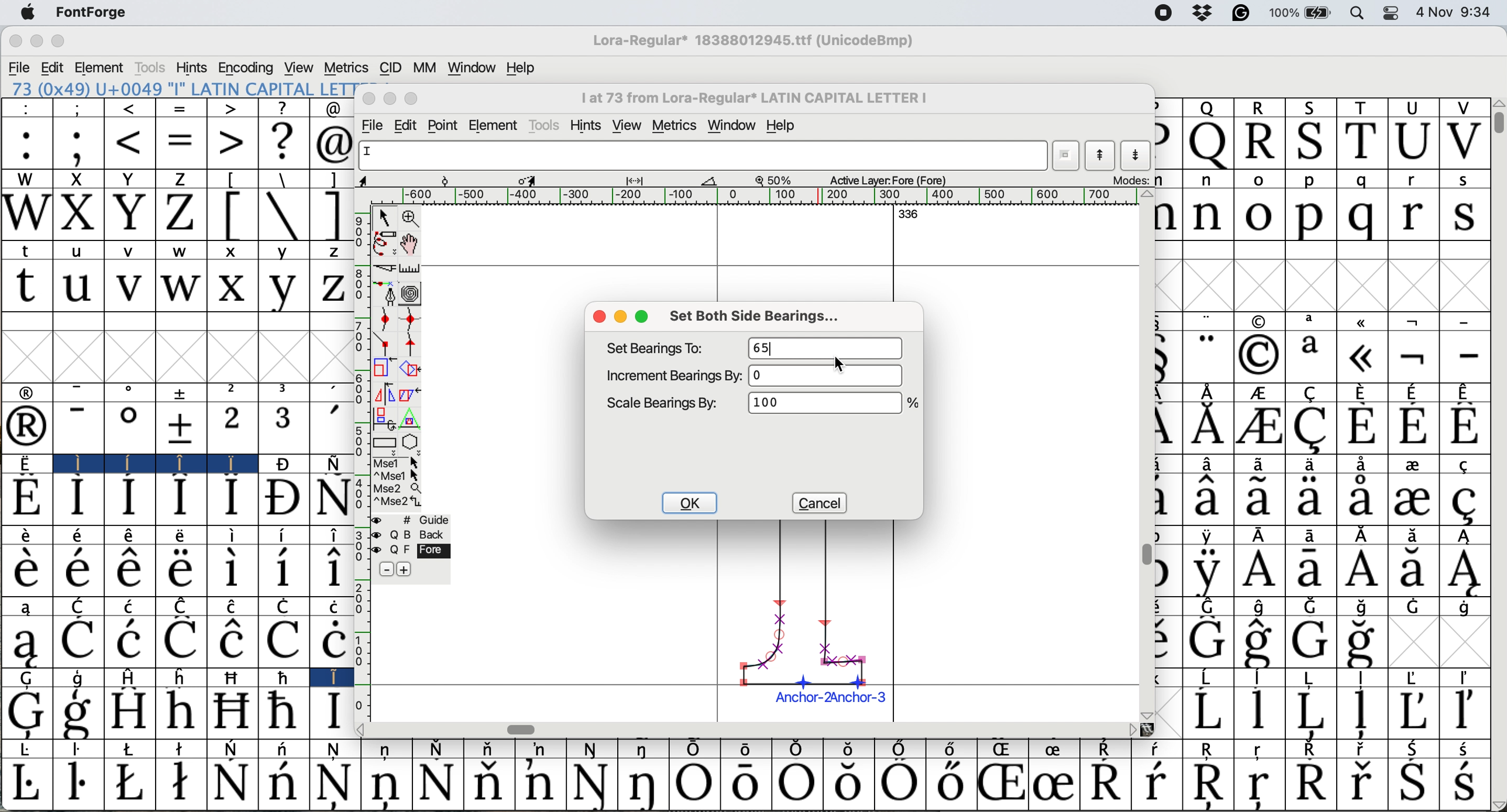 This screenshot has width=1507, height=812. What do you see at coordinates (694, 750) in the screenshot?
I see `Symbol` at bounding box center [694, 750].